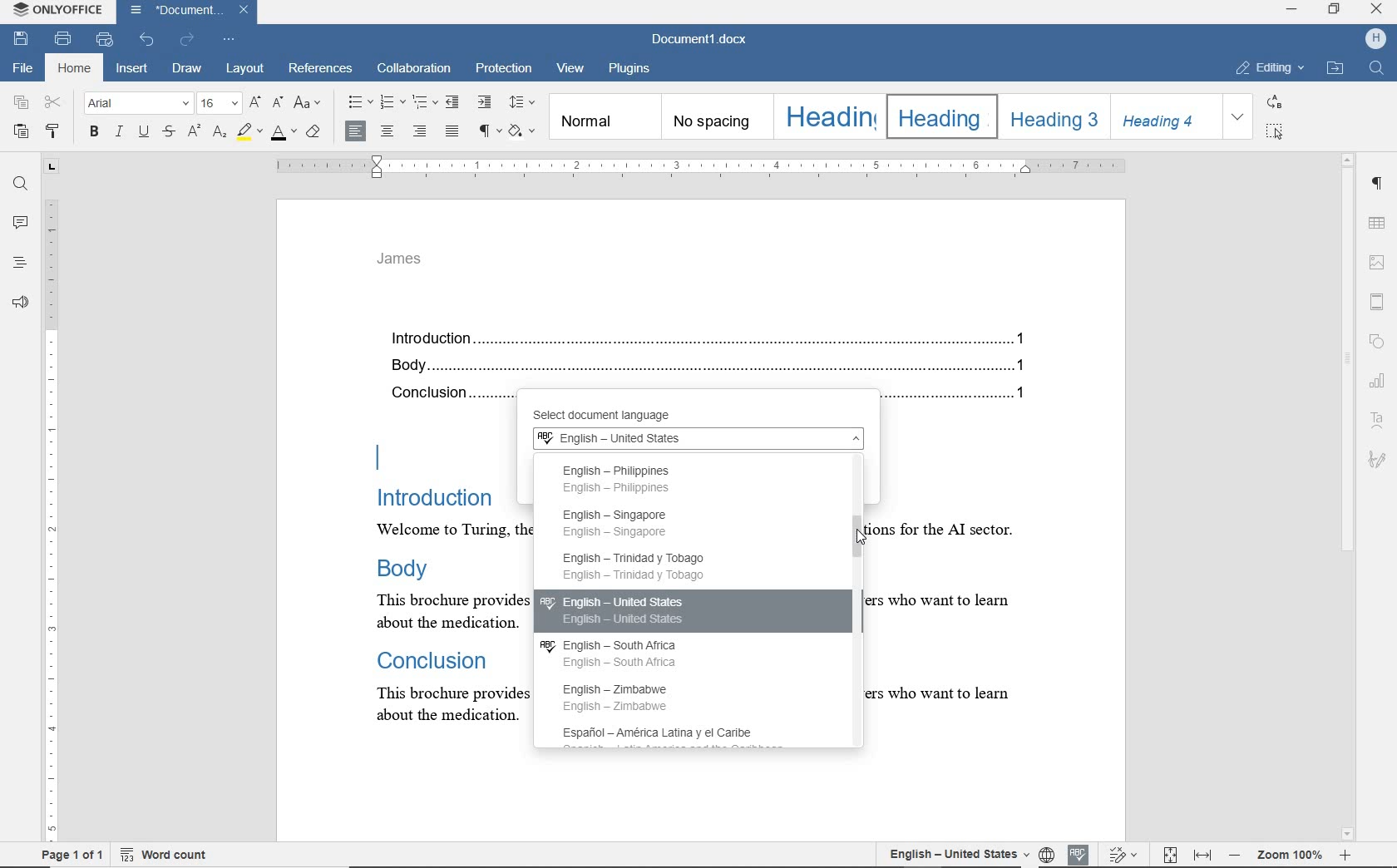  I want to click on word count, so click(173, 854).